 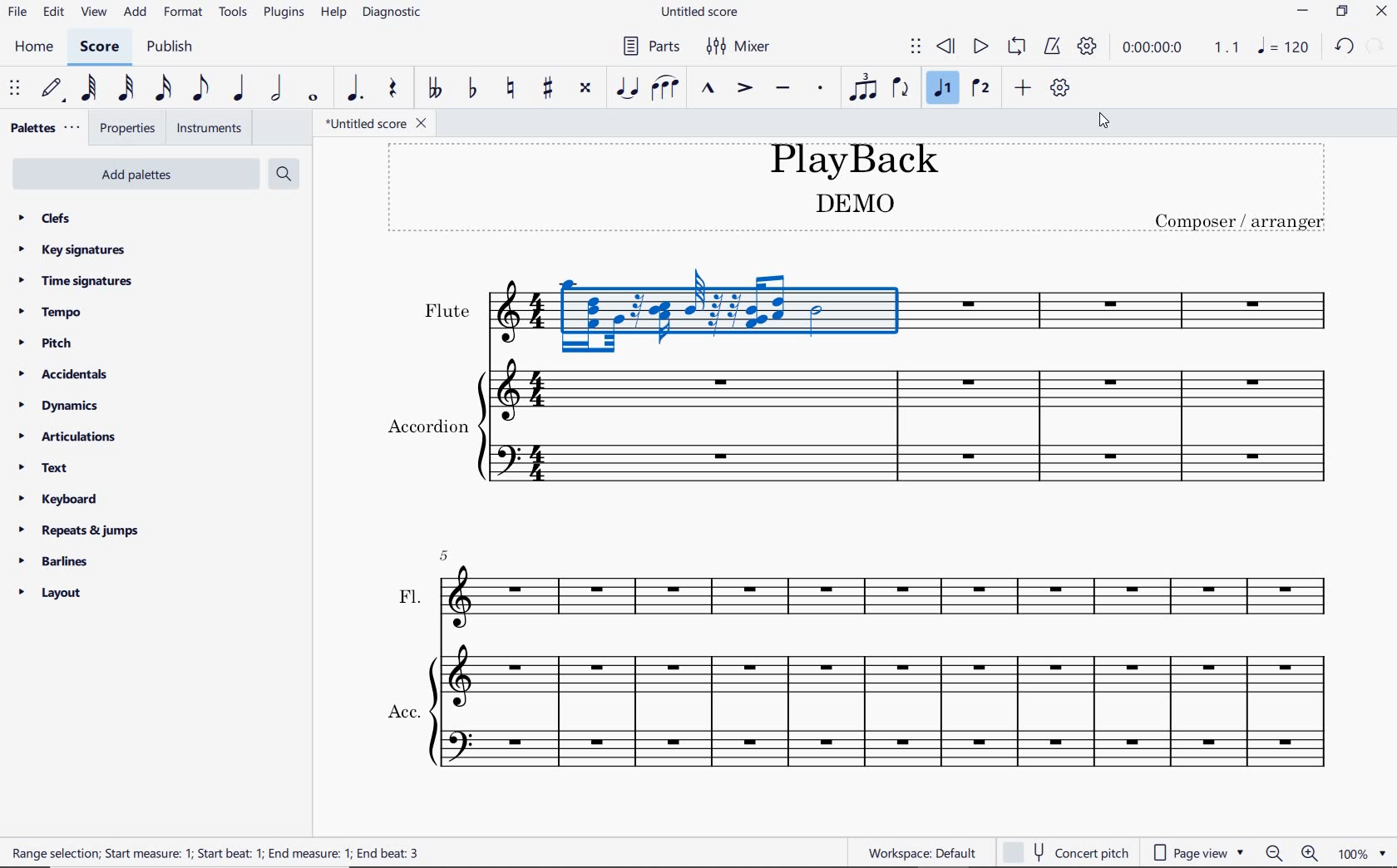 I want to click on Playback enabled, so click(x=734, y=309).